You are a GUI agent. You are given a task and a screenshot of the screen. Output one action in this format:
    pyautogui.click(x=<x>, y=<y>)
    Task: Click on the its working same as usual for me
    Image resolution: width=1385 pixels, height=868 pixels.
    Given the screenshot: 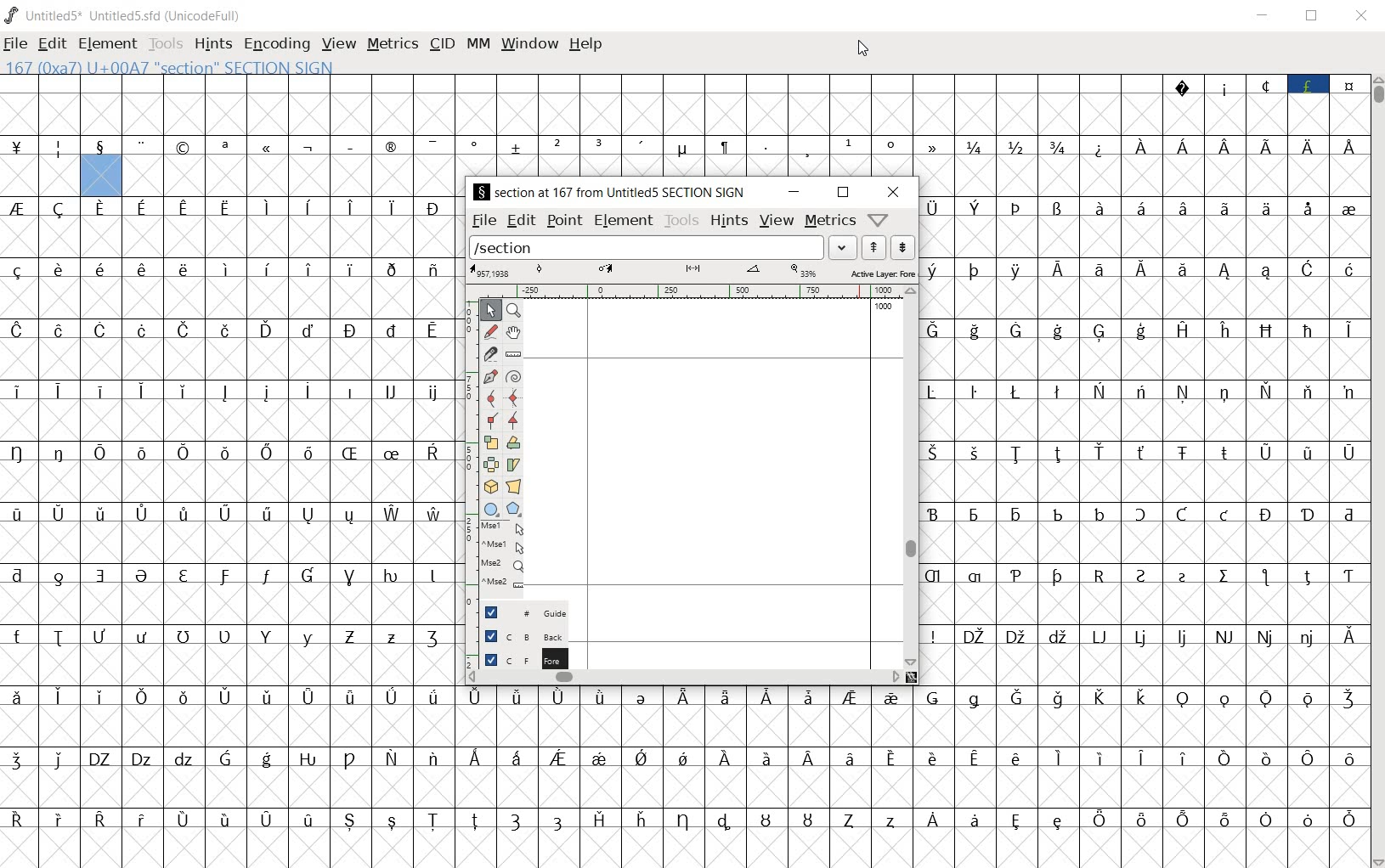 What is the action you would take?
    pyautogui.click(x=1145, y=481)
    